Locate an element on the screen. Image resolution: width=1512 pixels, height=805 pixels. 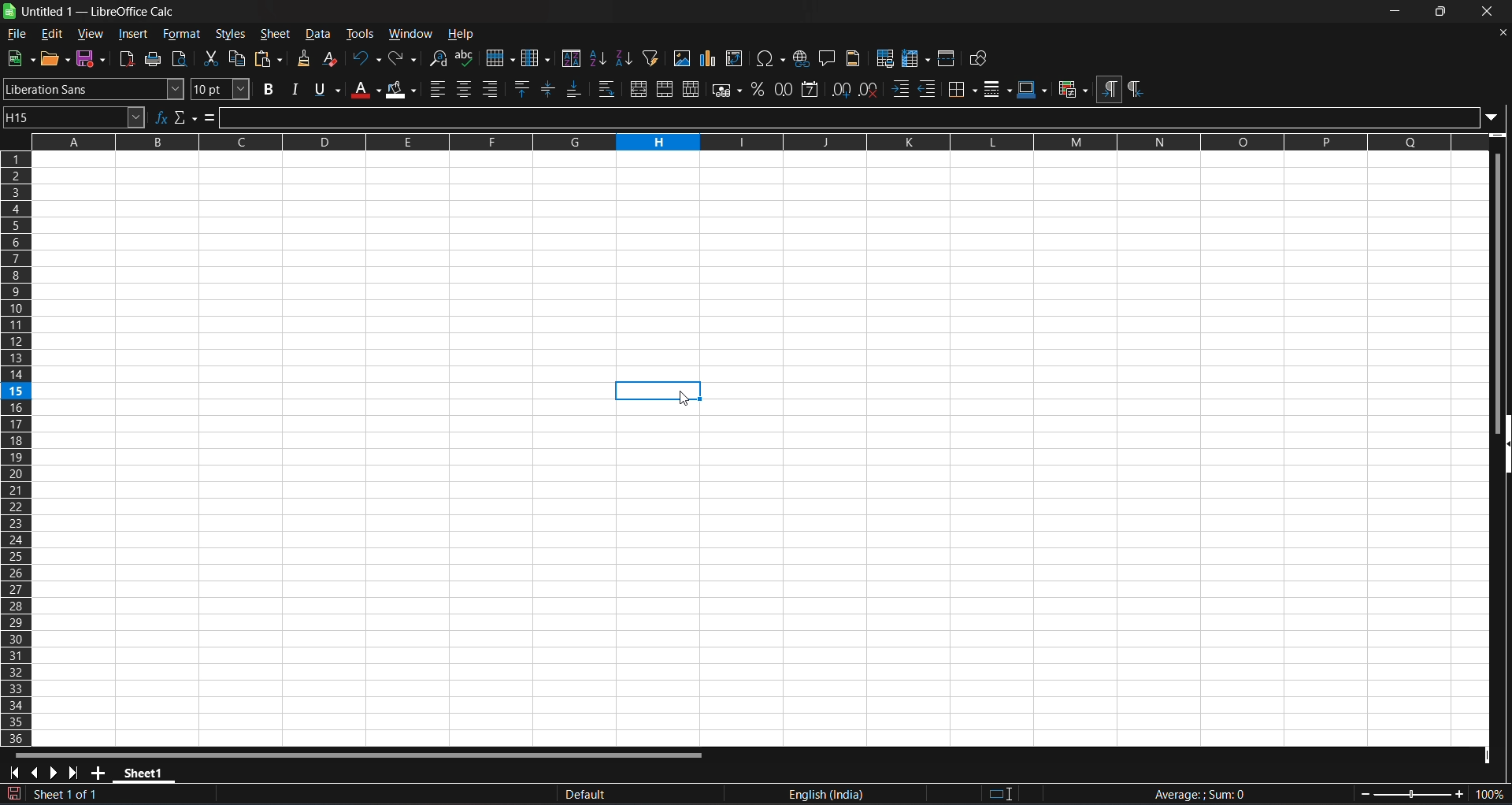
italic is located at coordinates (296, 91).